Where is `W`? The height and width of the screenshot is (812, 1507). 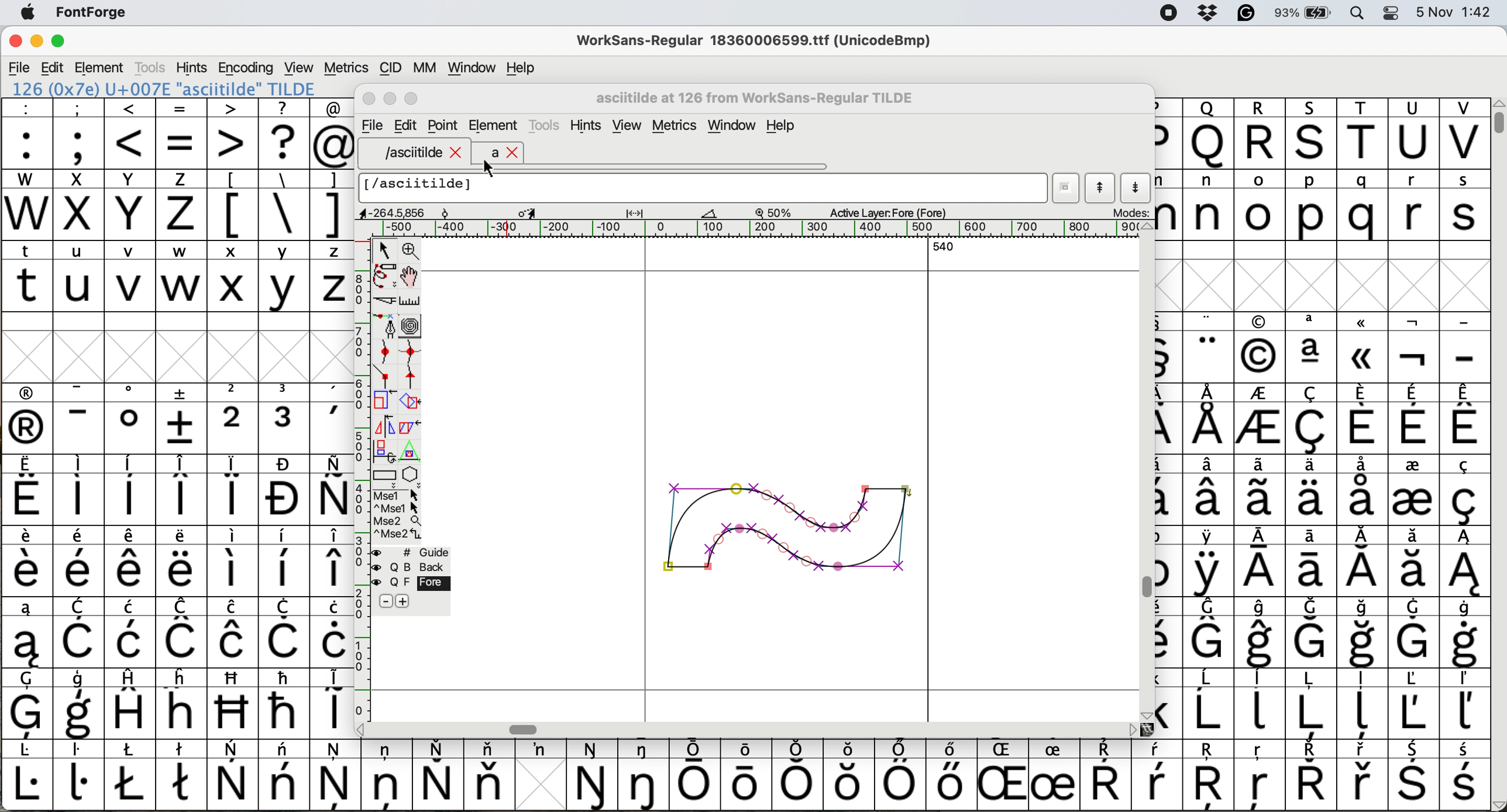
W is located at coordinates (29, 205).